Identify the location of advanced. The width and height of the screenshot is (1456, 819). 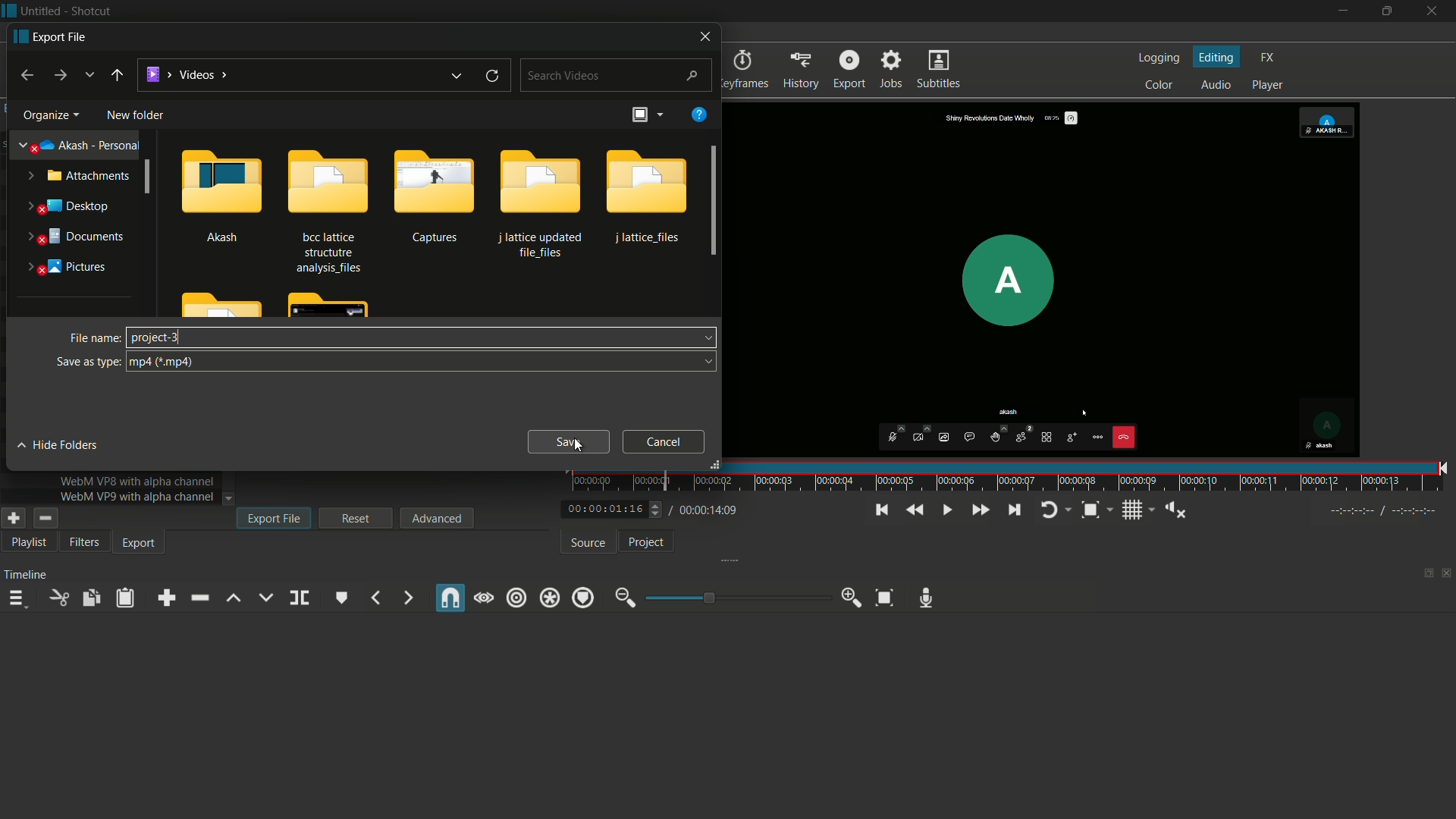
(438, 517).